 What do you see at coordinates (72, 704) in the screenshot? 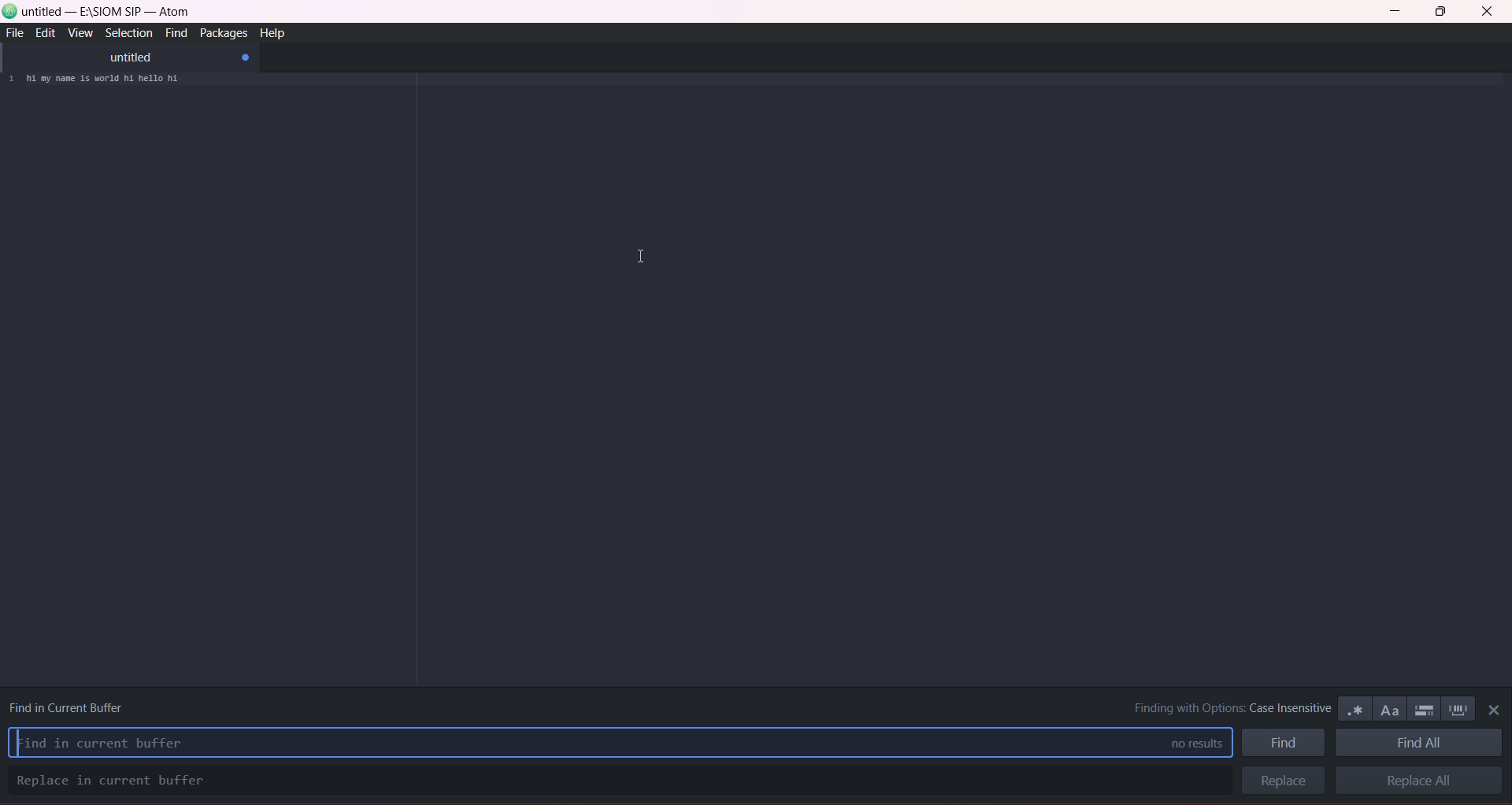
I see `find in current buffer` at bounding box center [72, 704].